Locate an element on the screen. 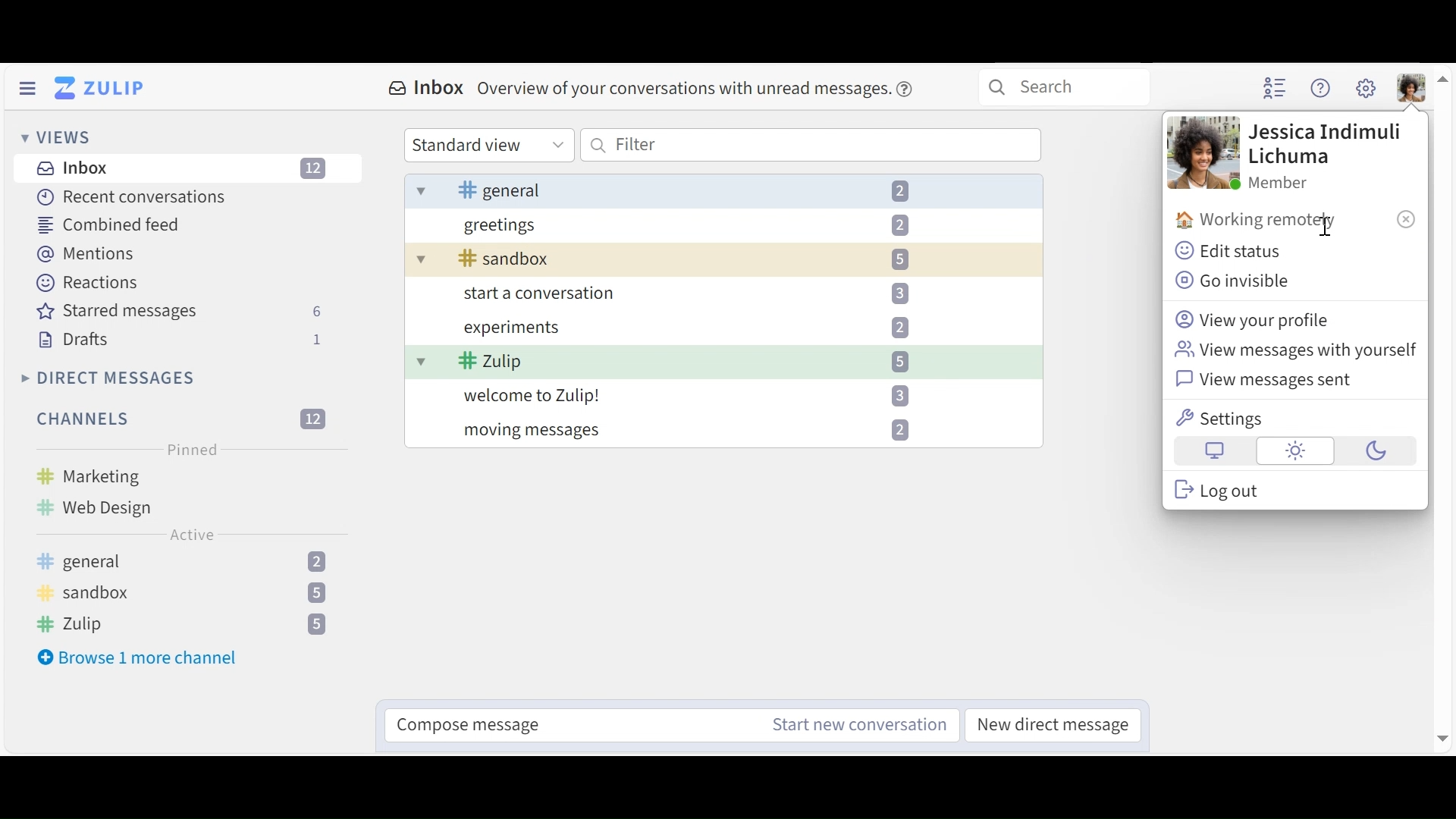 This screenshot has height=819, width=1456. 2 is located at coordinates (899, 189).